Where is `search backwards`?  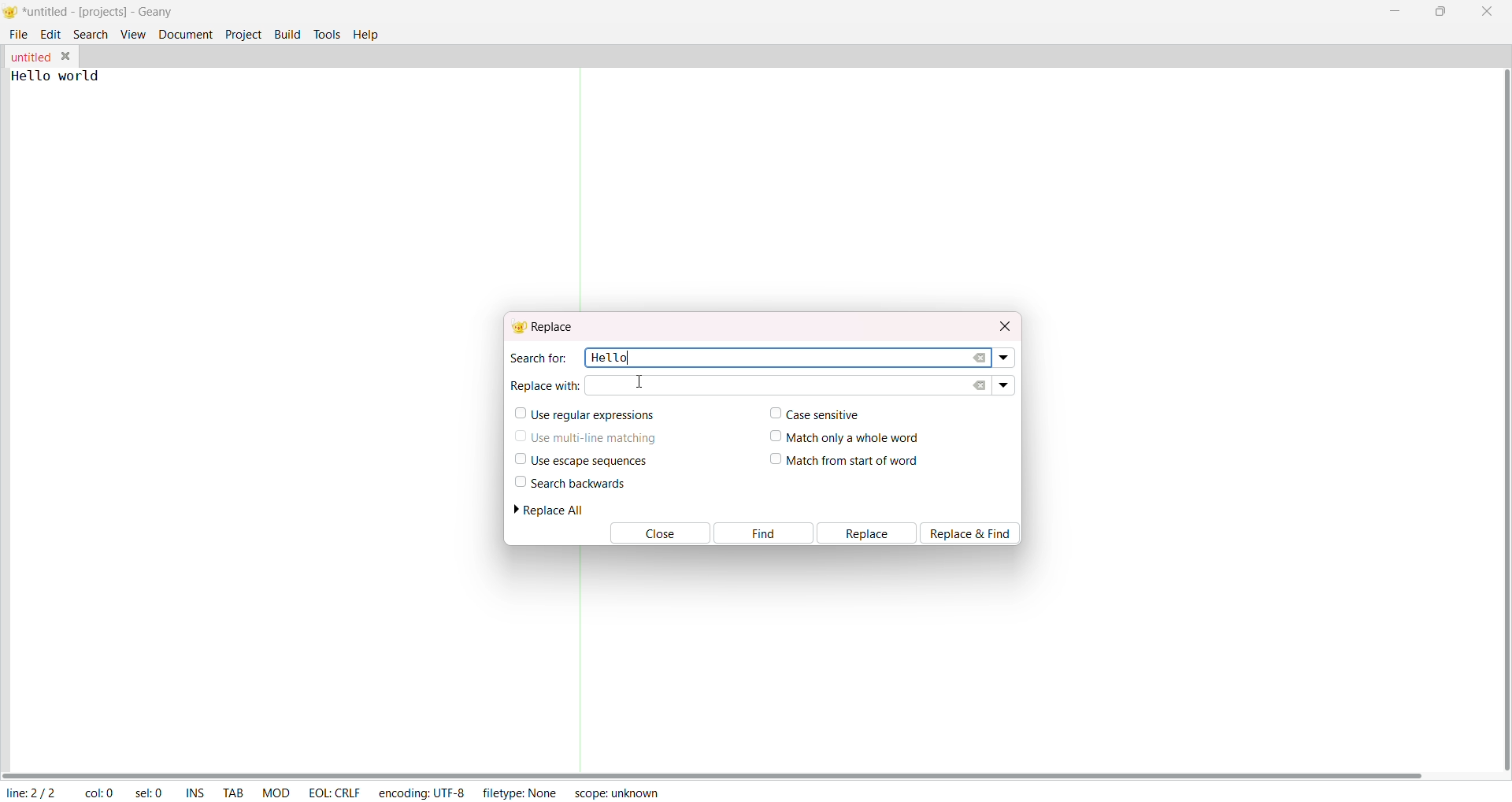
search backwards is located at coordinates (569, 483).